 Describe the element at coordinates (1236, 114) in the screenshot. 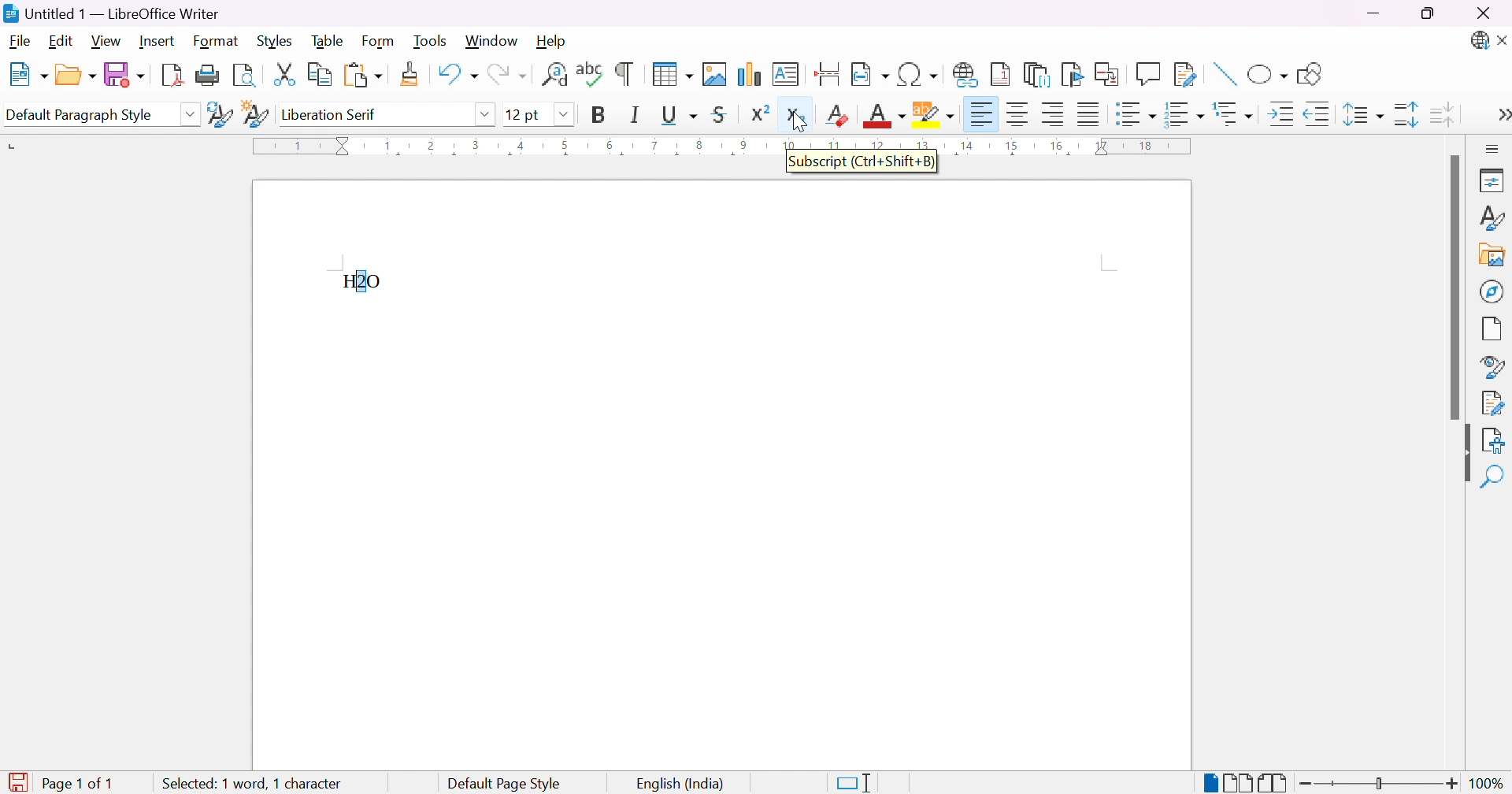

I see `Select outline format` at that location.